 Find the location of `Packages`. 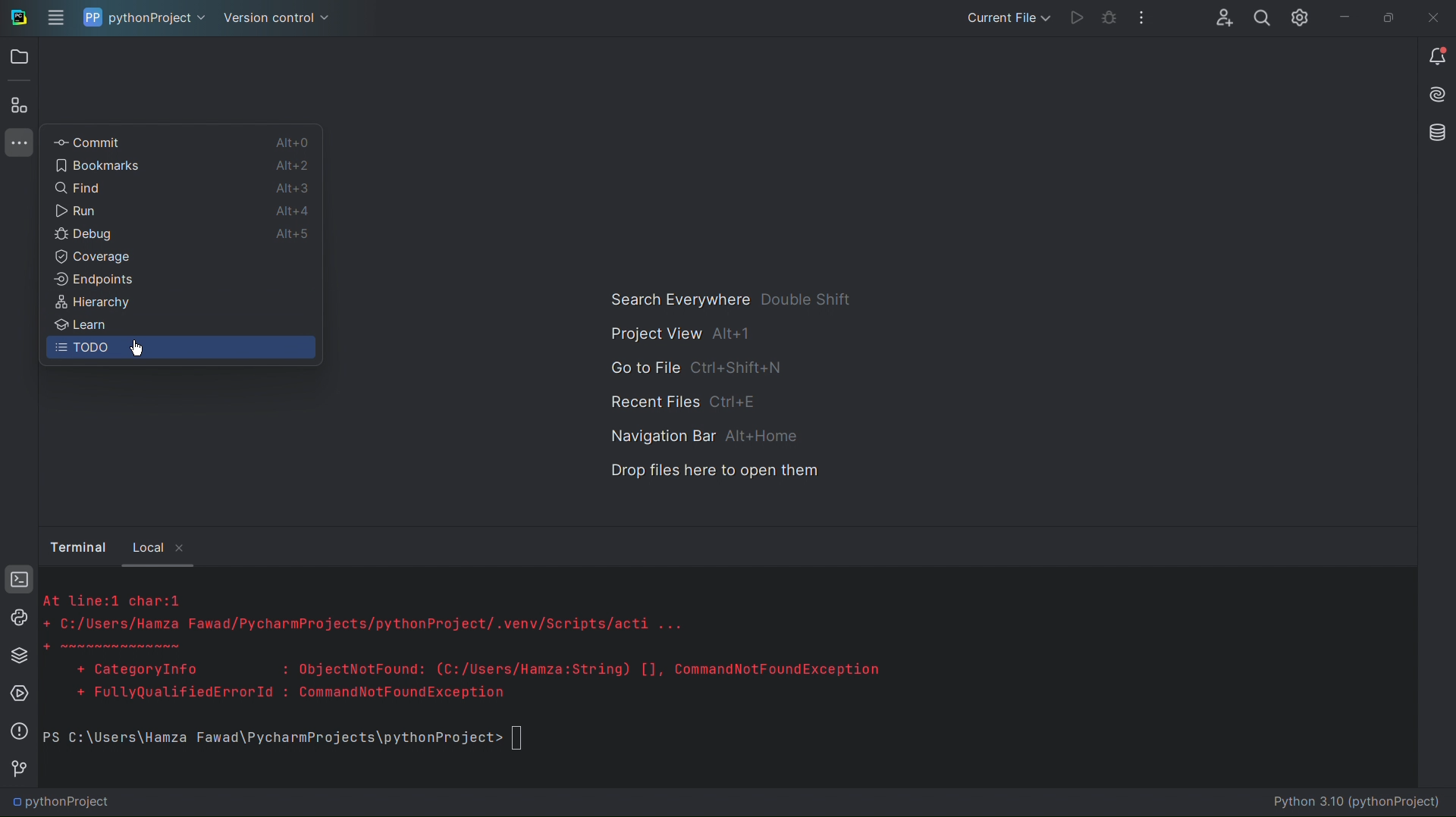

Packages is located at coordinates (14, 655).